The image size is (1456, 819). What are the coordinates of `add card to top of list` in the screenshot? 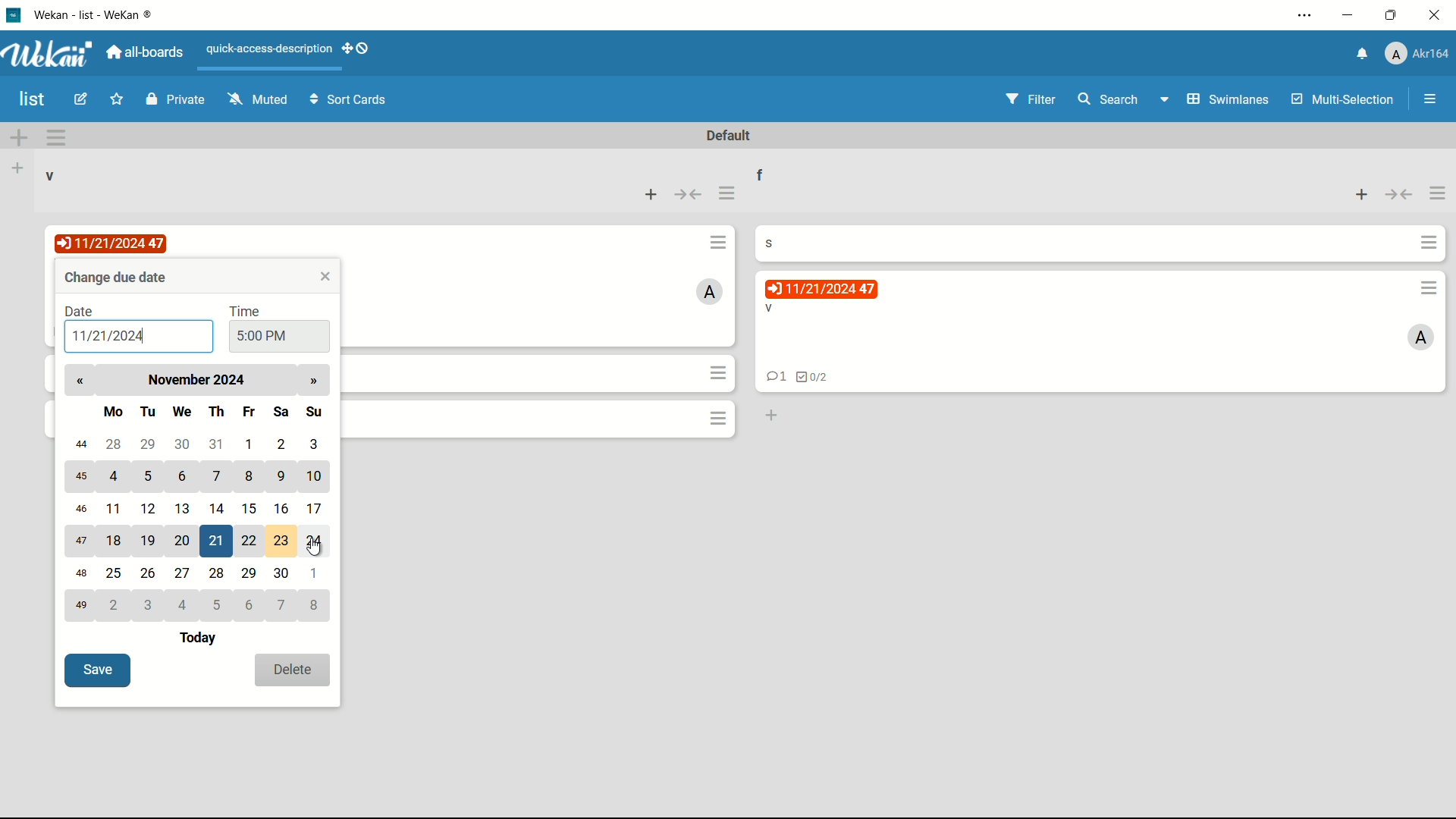 It's located at (1360, 196).